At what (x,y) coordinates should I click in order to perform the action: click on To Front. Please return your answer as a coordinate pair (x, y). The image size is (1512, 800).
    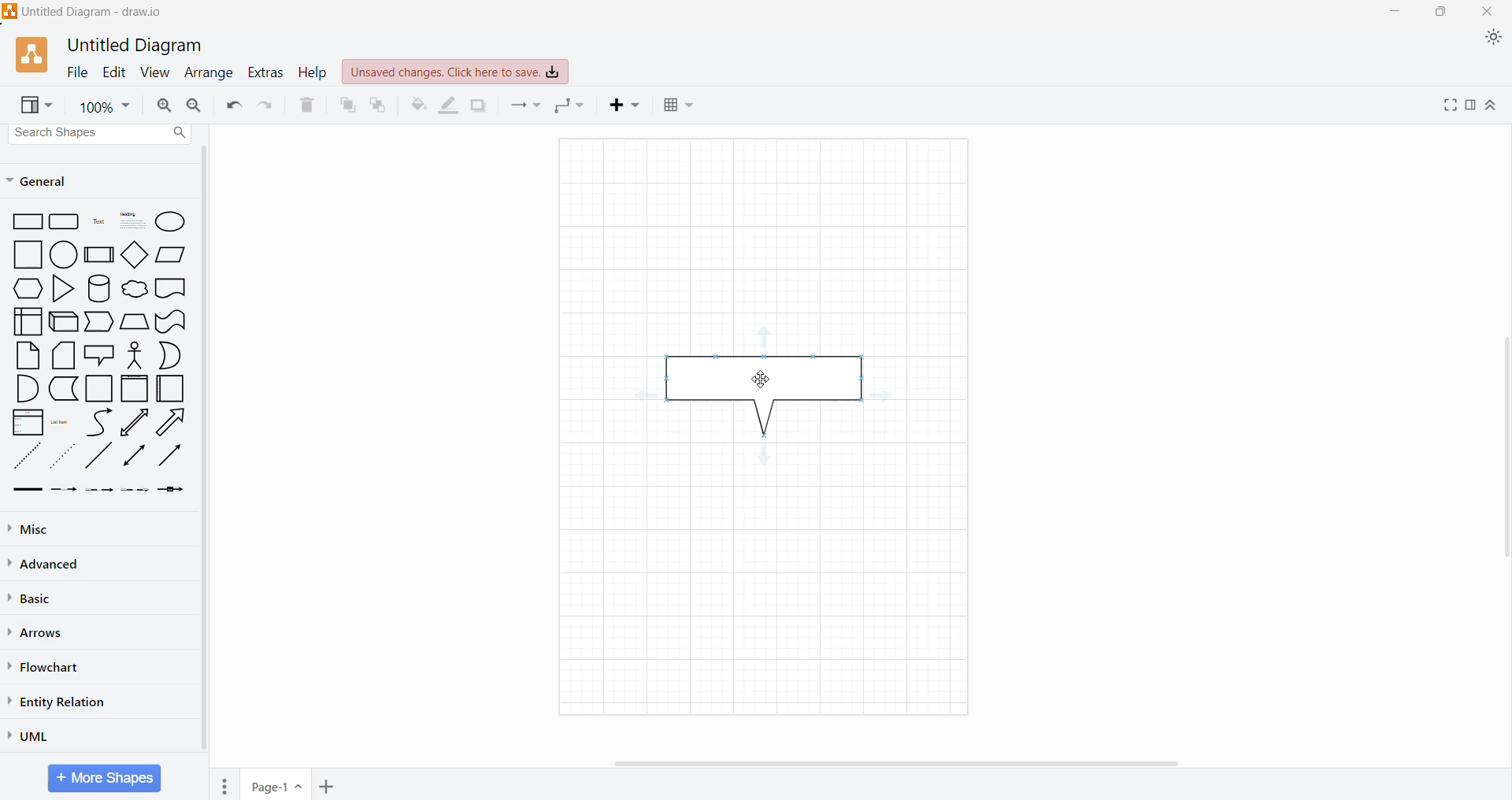
    Looking at the image, I should click on (346, 105).